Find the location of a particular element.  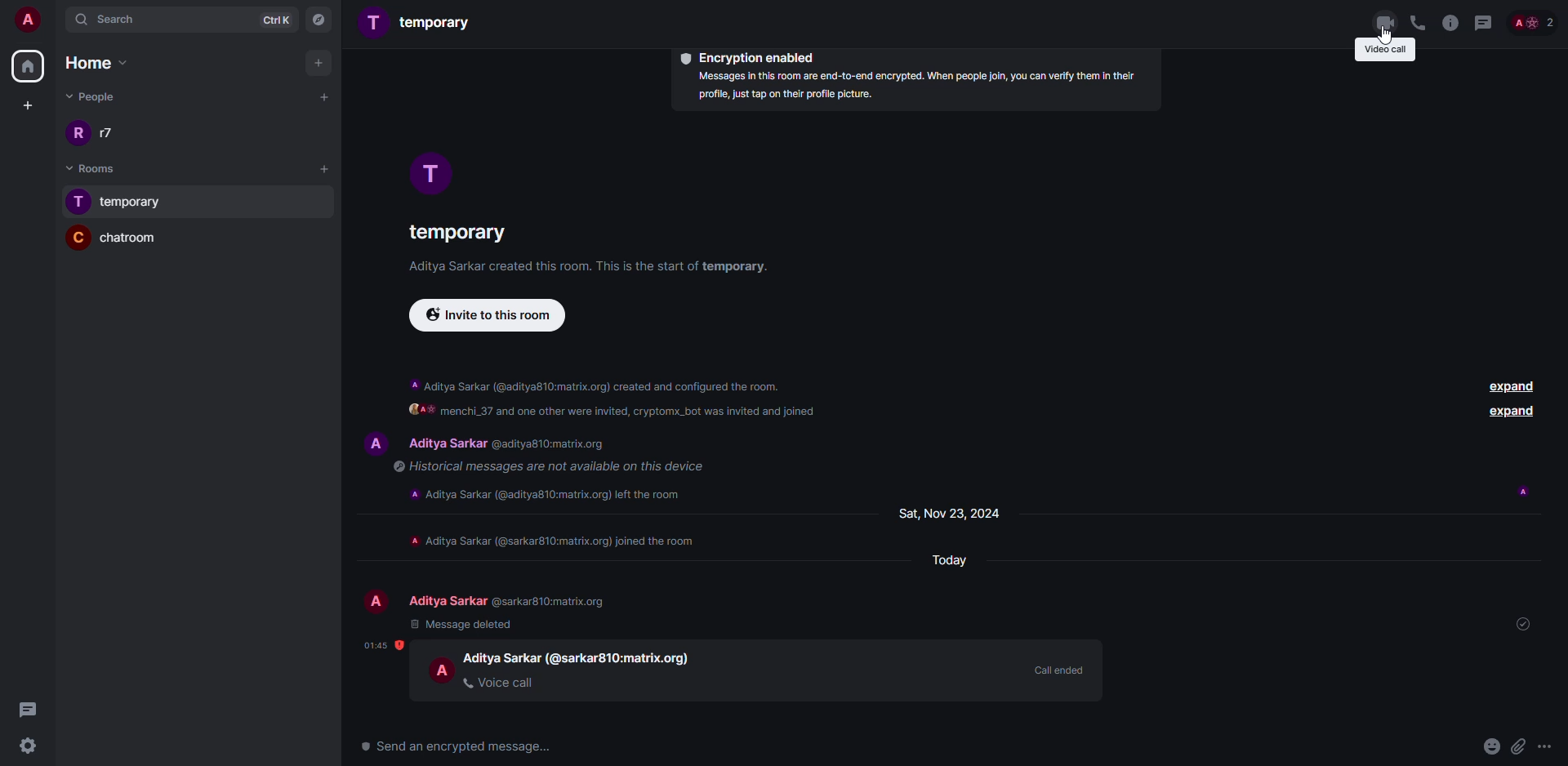

create space is located at coordinates (24, 105).